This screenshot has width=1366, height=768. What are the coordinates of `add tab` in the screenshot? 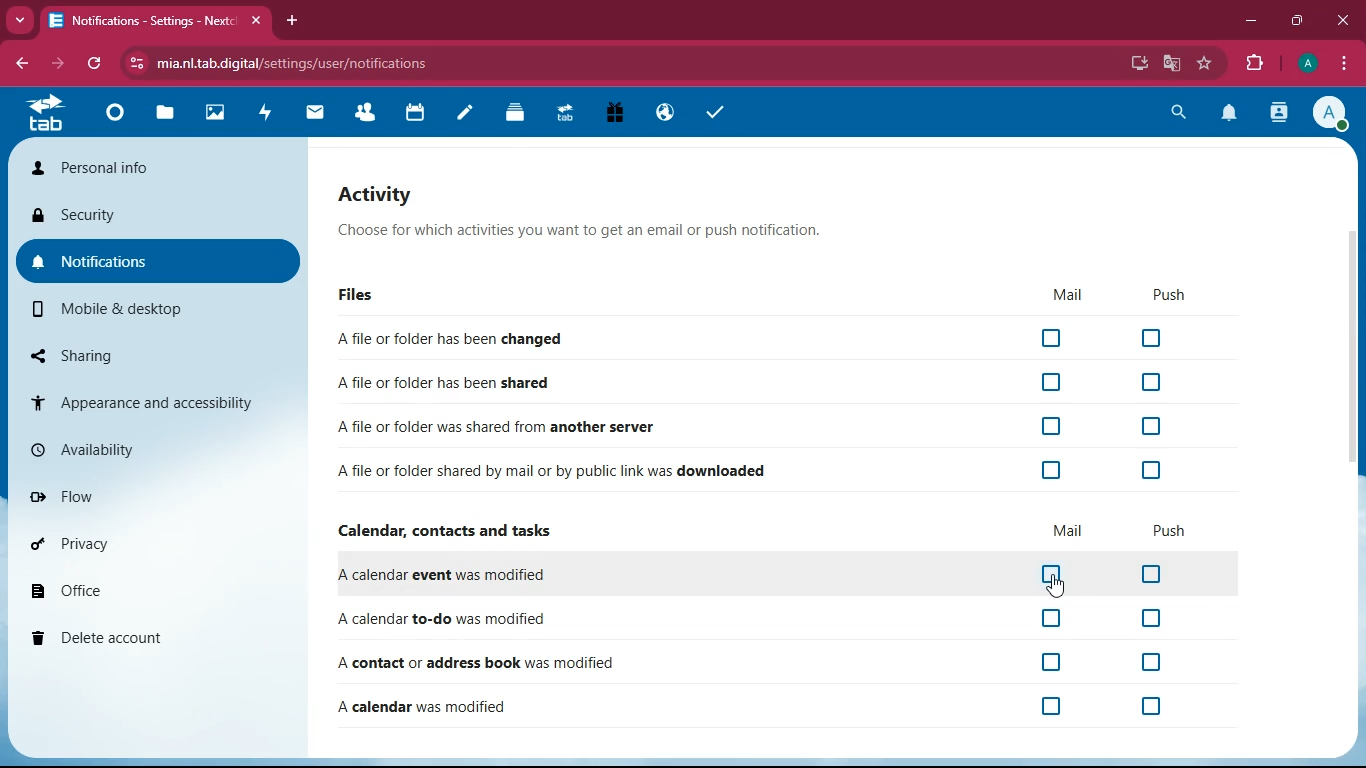 It's located at (295, 22).